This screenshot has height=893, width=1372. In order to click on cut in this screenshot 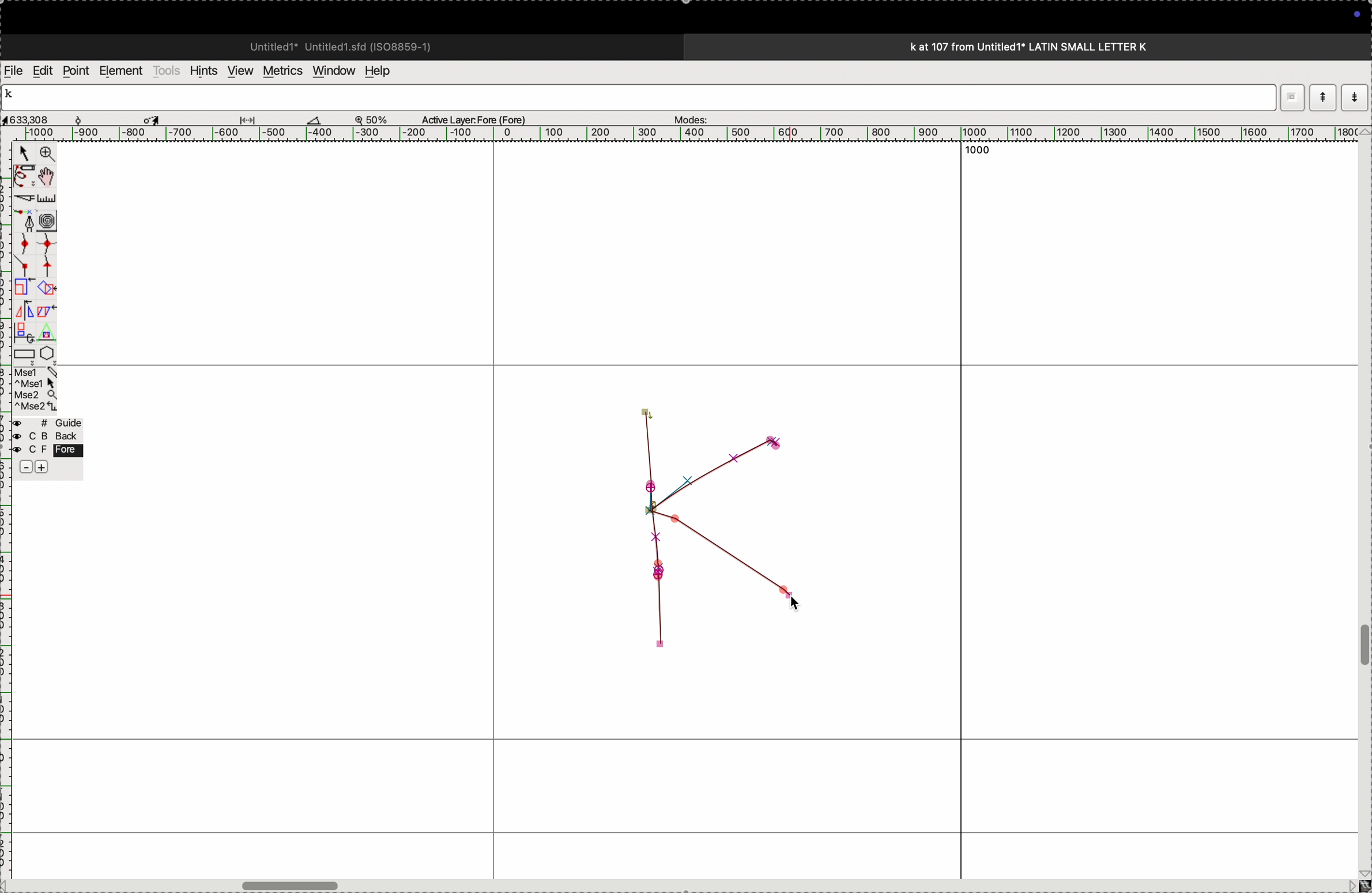, I will do `click(22, 198)`.